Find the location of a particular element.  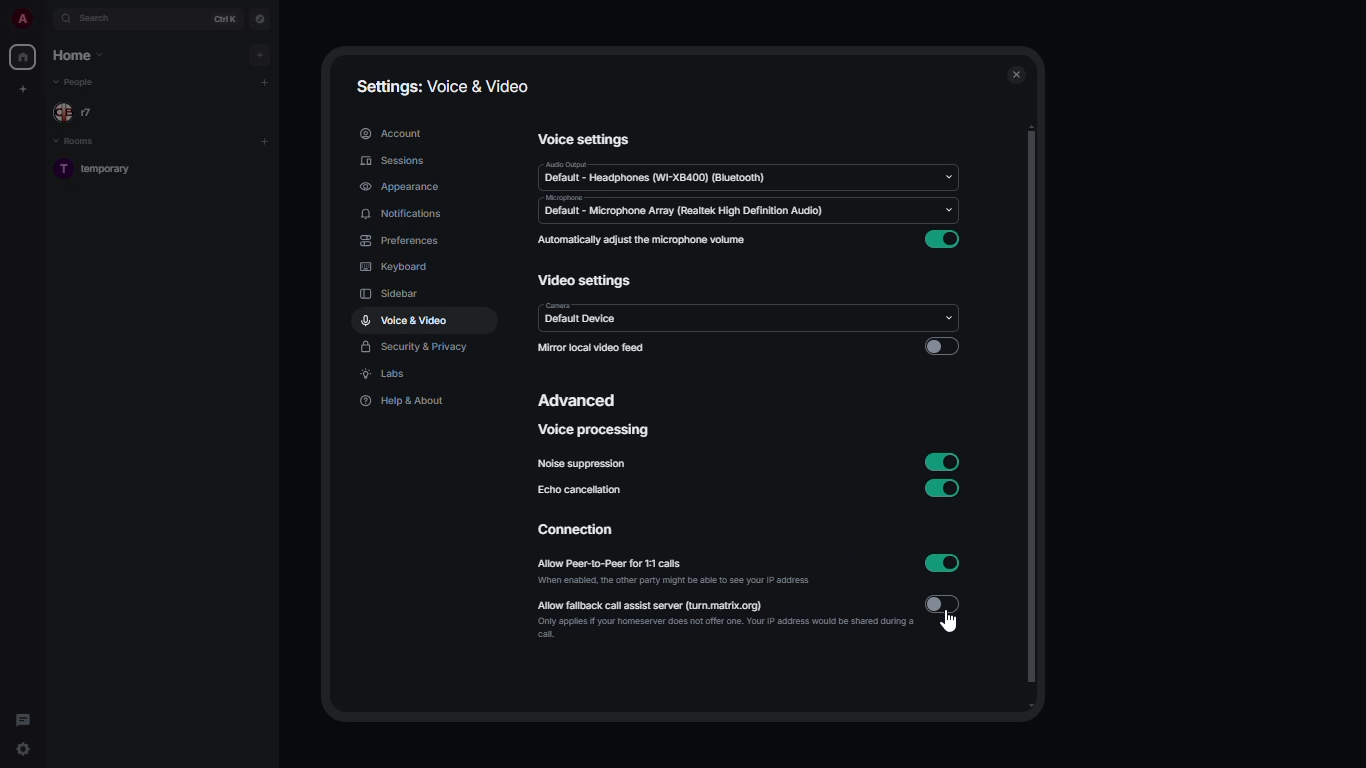

help & about is located at coordinates (404, 400).